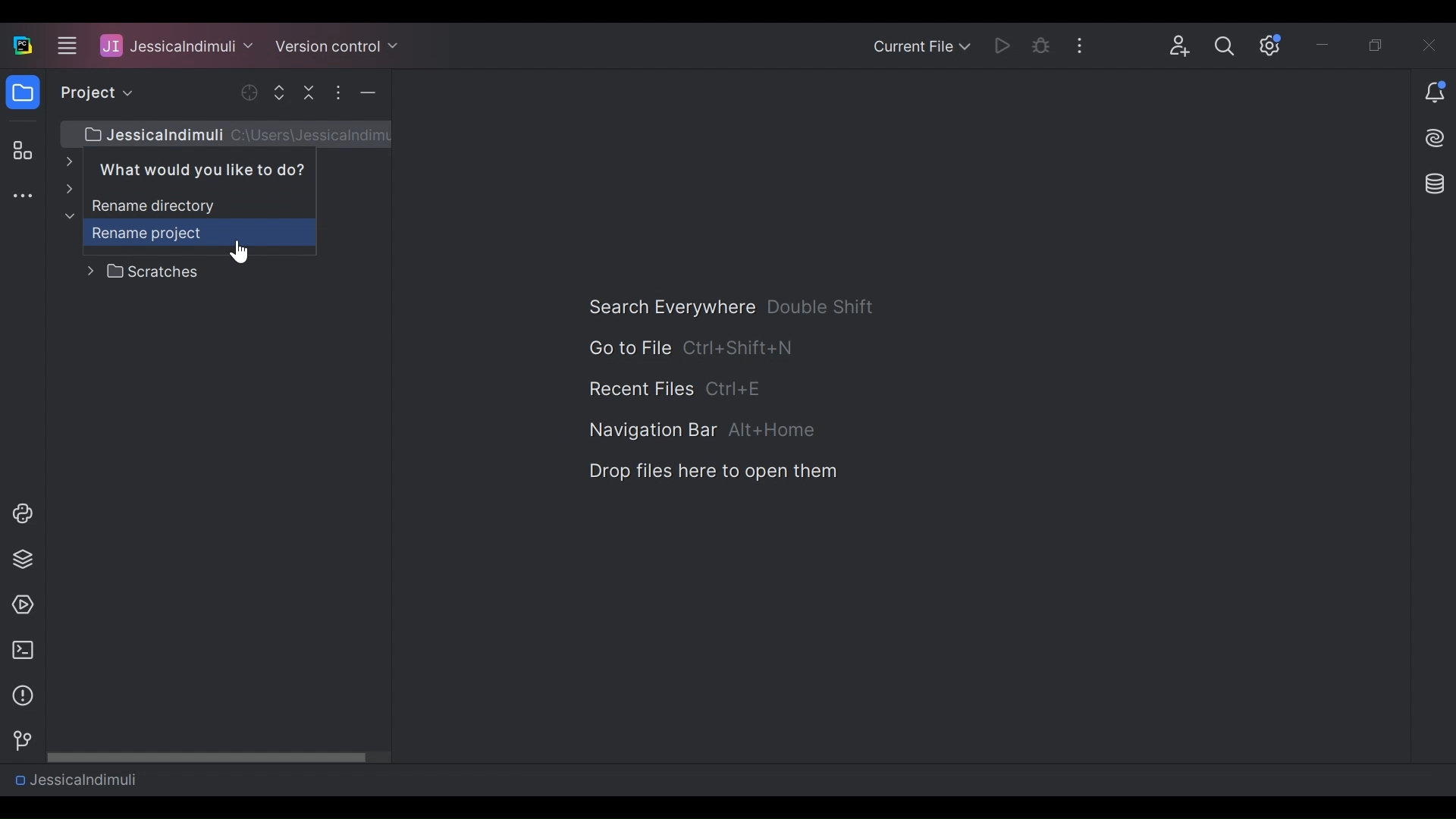 This screenshot has height=819, width=1456. Describe the element at coordinates (177, 45) in the screenshot. I see `Project Name` at that location.